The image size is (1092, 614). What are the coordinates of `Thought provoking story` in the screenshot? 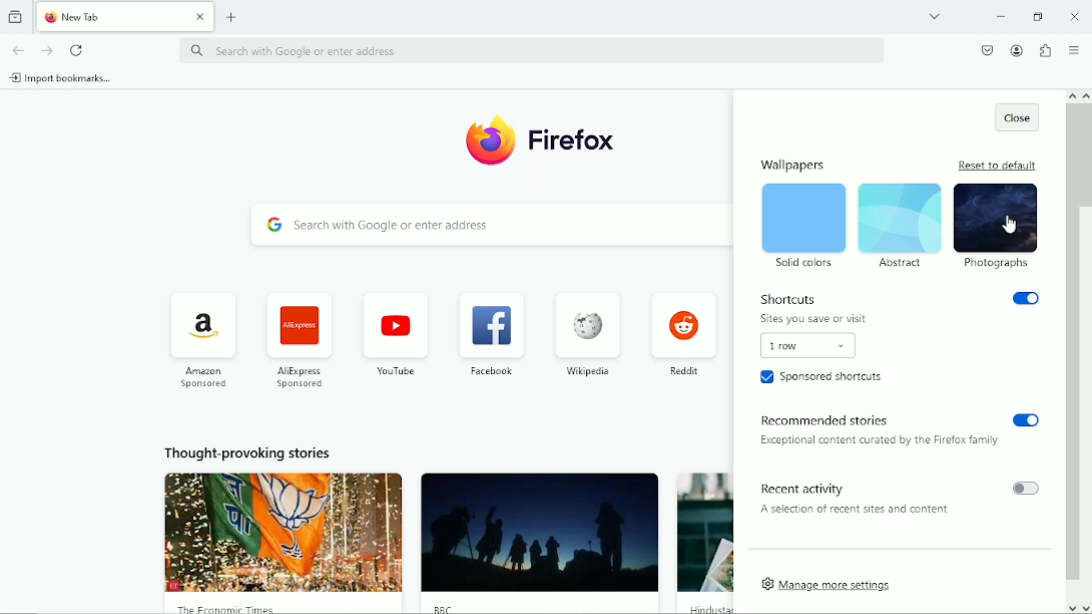 It's located at (283, 542).